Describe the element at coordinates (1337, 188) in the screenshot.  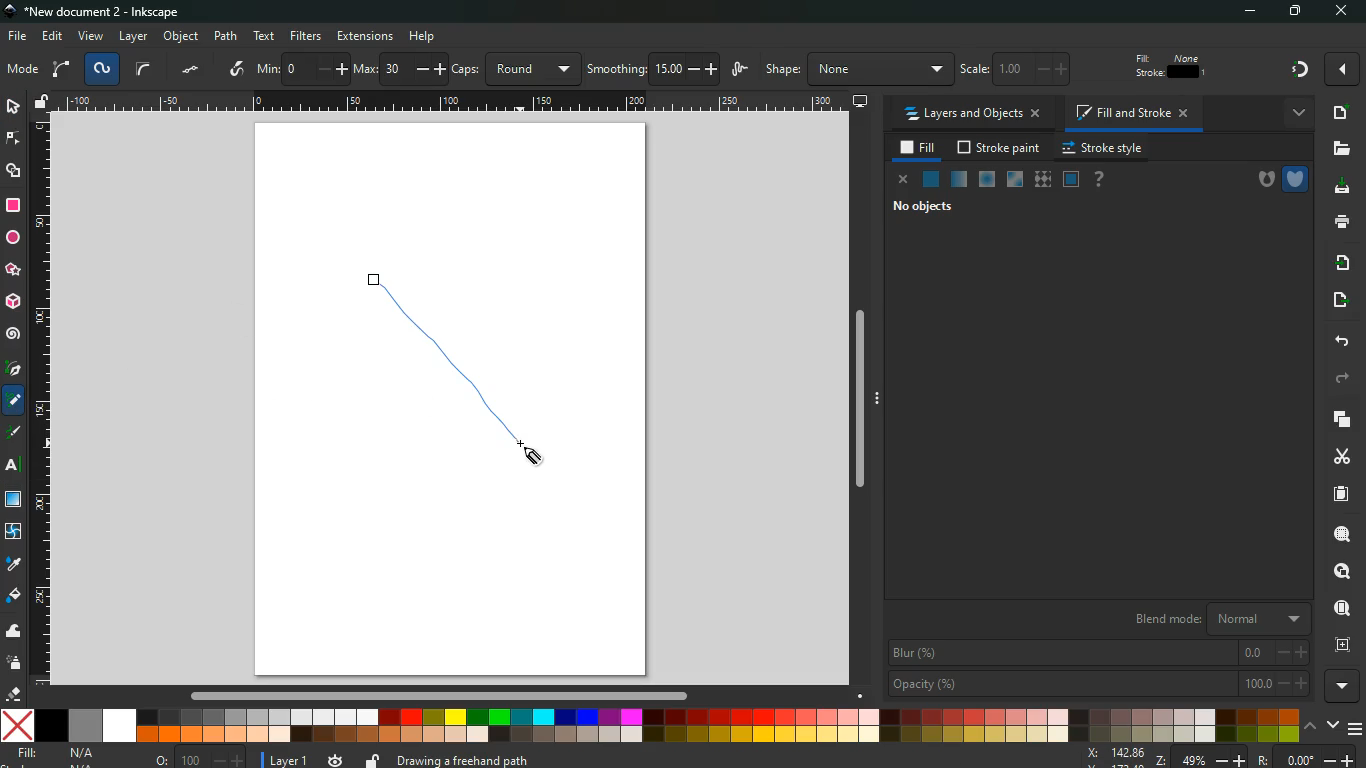
I see `download` at that location.